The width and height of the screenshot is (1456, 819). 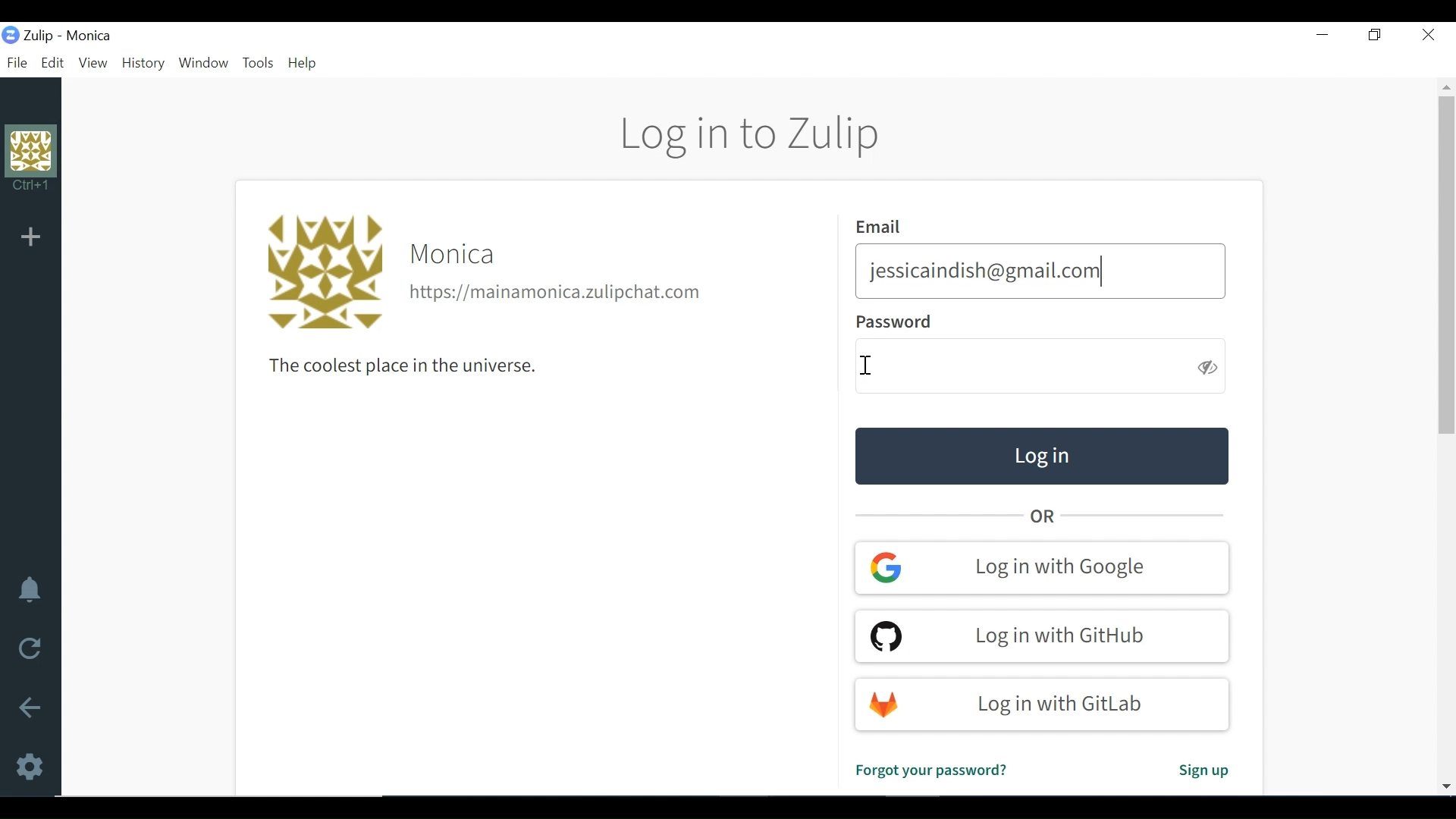 What do you see at coordinates (30, 237) in the screenshot?
I see `Add Organisation` at bounding box center [30, 237].